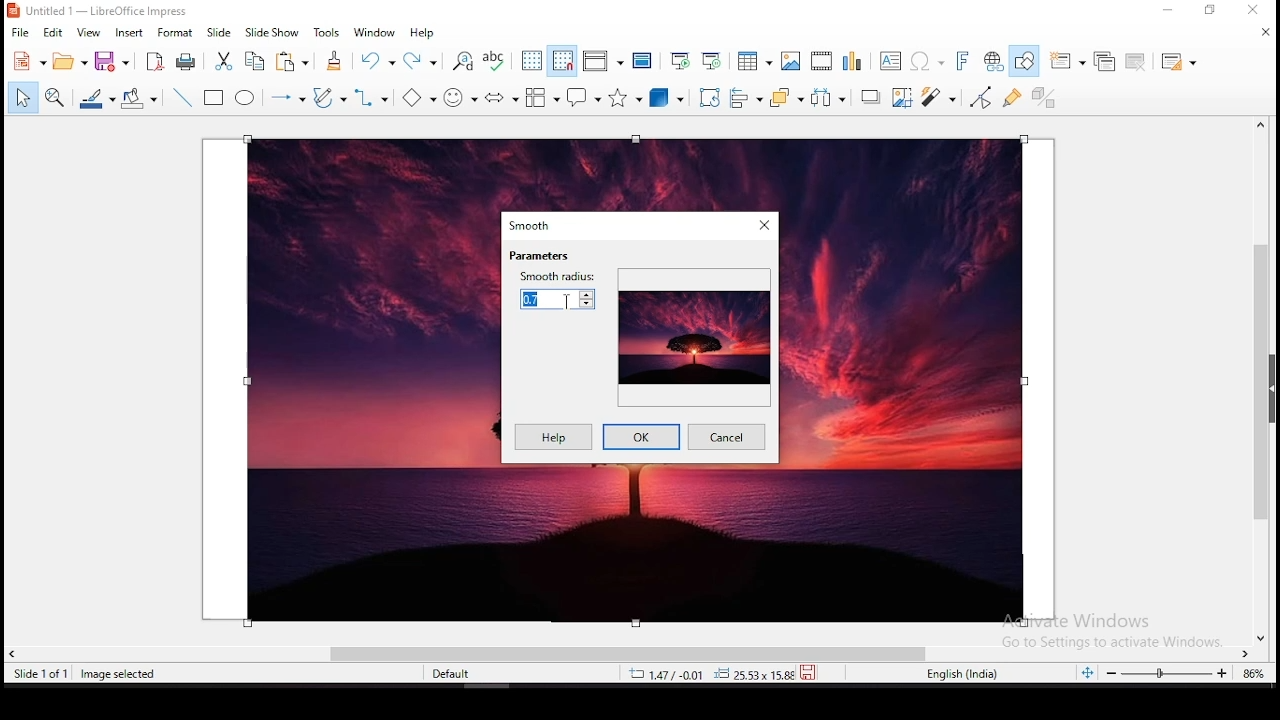  Describe the element at coordinates (1264, 32) in the screenshot. I see `close` at that location.